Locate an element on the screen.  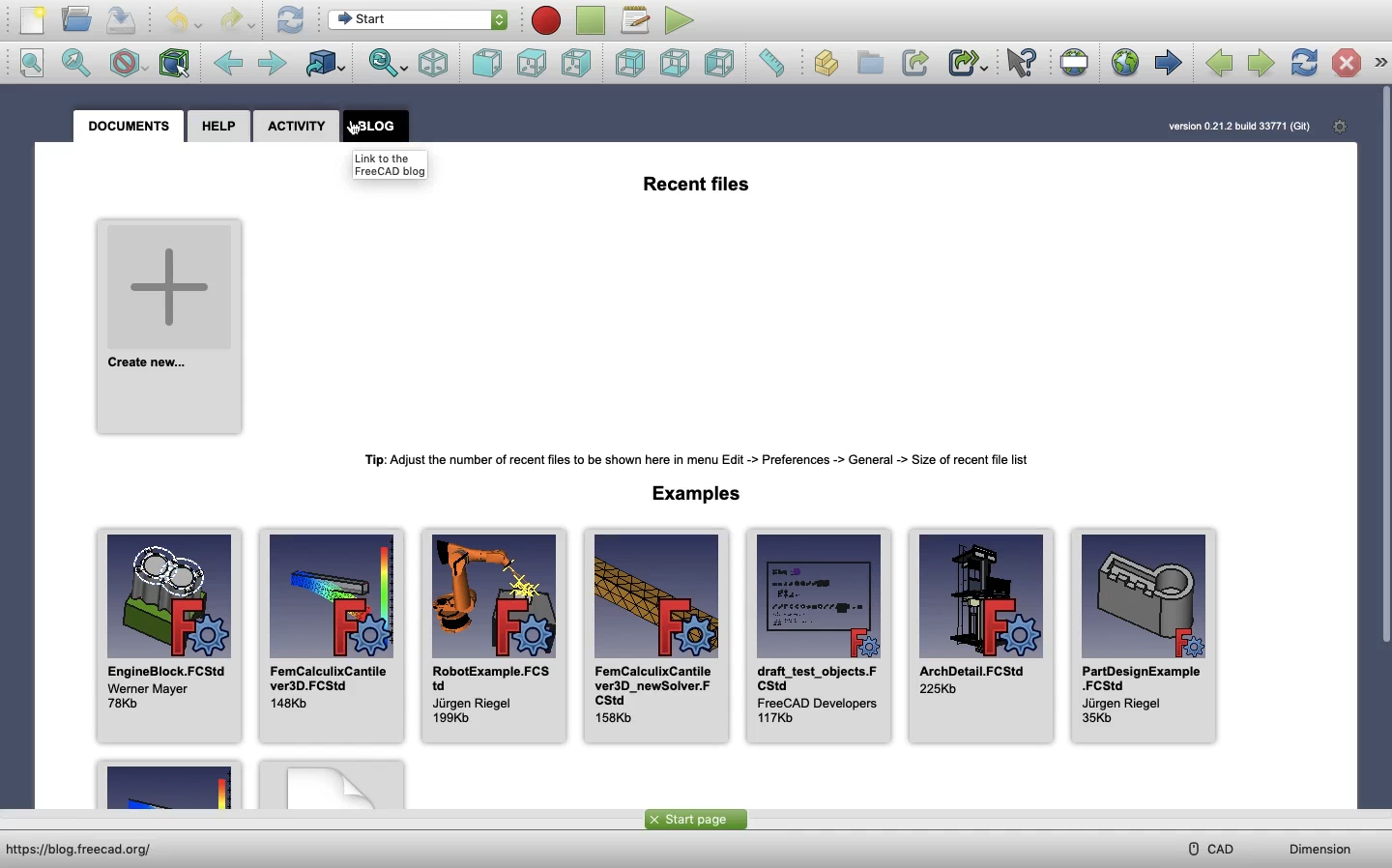
Play Macro is located at coordinates (679, 21).